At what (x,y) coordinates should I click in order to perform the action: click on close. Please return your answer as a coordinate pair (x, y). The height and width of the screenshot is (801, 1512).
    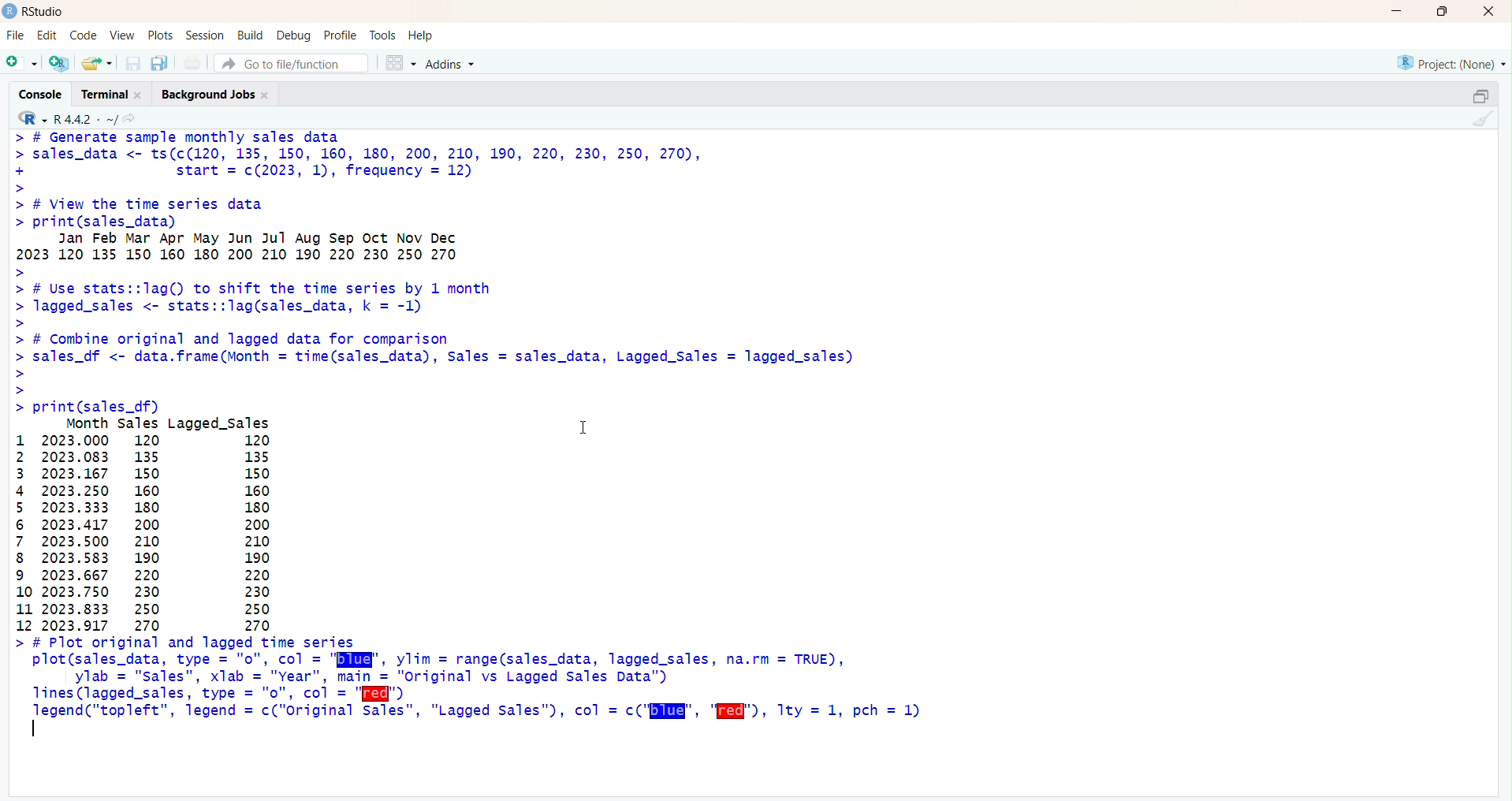
    Looking at the image, I should click on (1485, 12).